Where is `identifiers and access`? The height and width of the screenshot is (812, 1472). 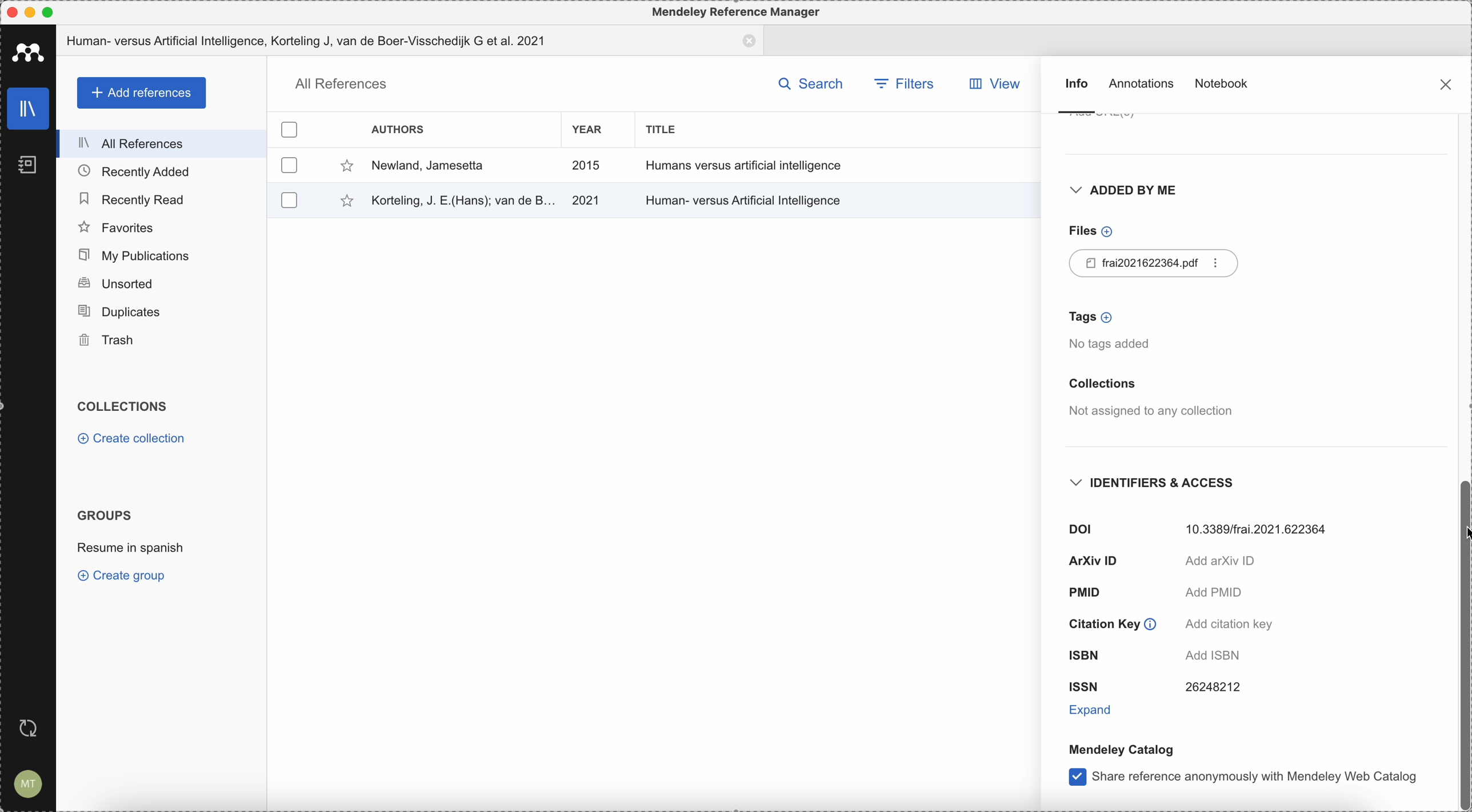
identifiers and access is located at coordinates (1158, 483).